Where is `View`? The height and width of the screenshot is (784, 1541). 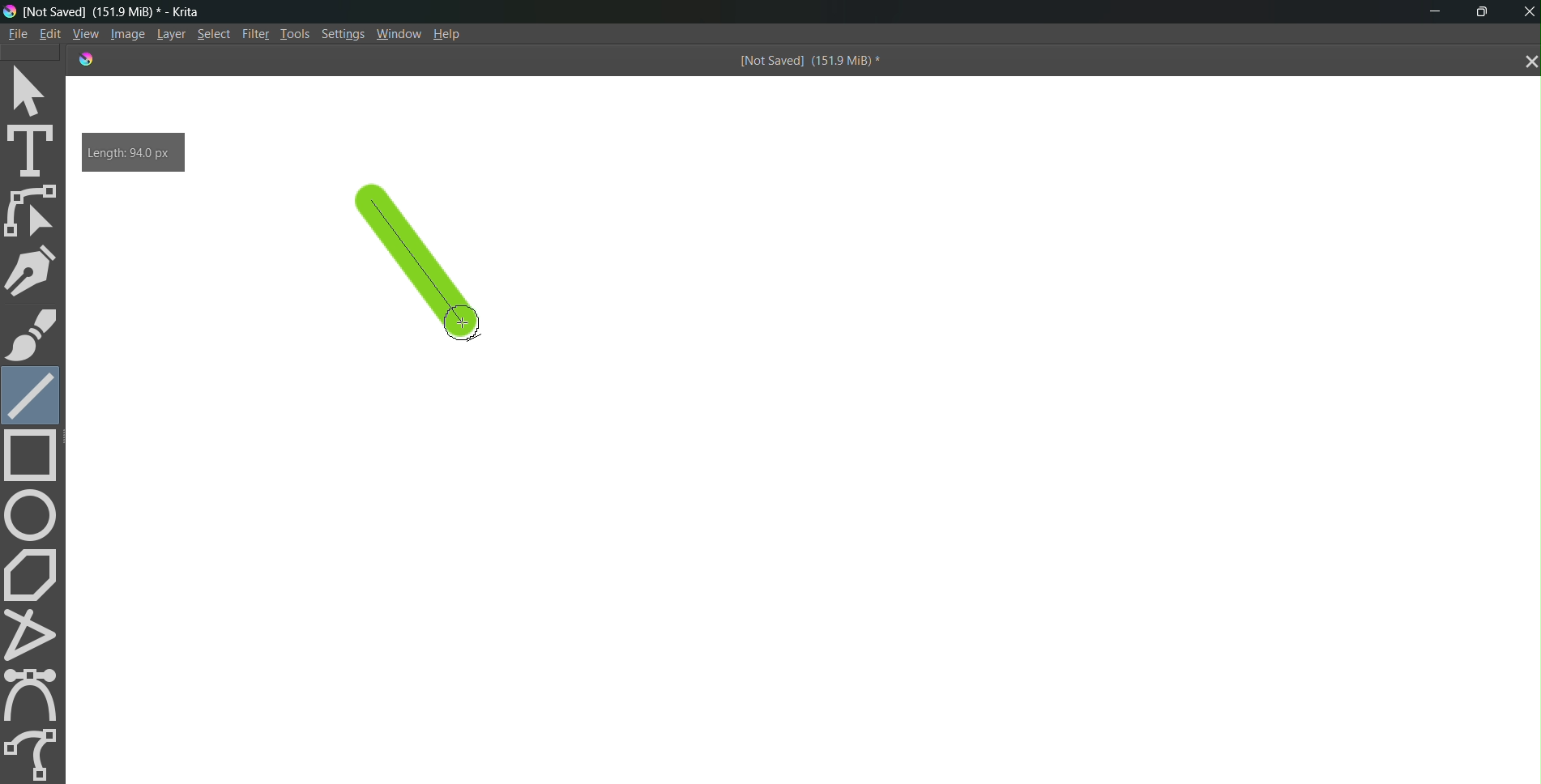
View is located at coordinates (83, 33).